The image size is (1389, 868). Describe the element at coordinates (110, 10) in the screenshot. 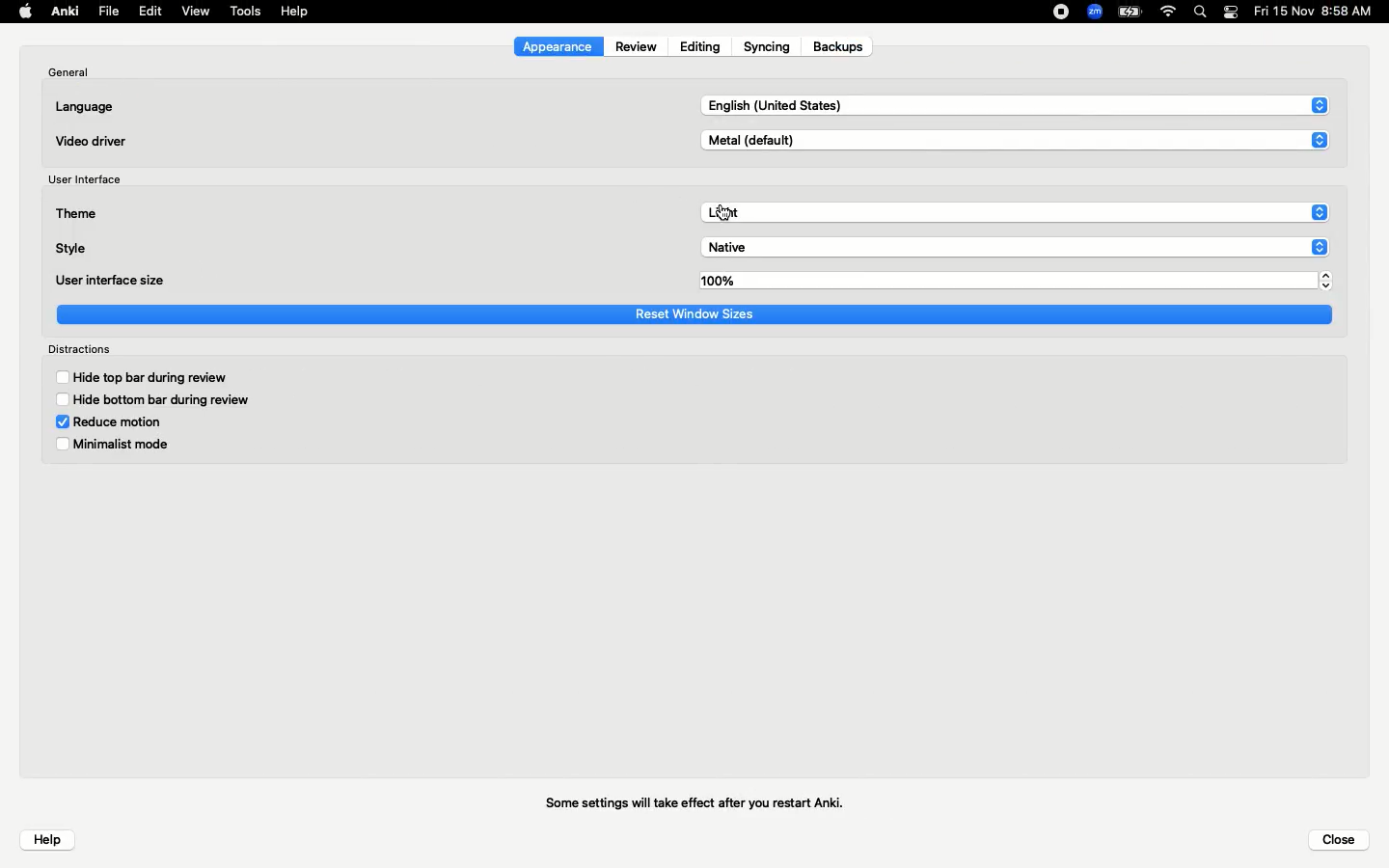

I see `File` at that location.